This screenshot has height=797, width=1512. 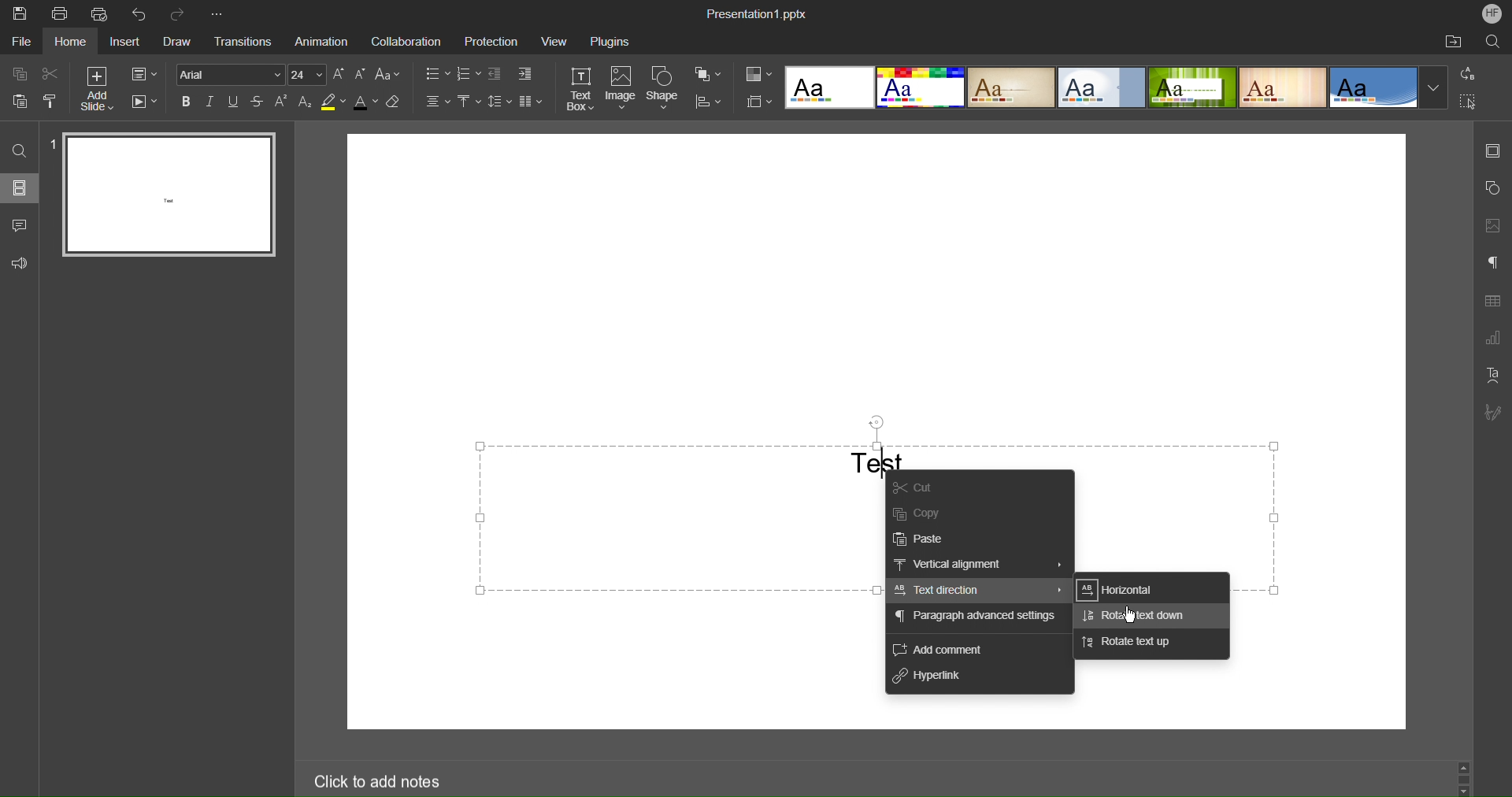 I want to click on Italic, so click(x=211, y=101).